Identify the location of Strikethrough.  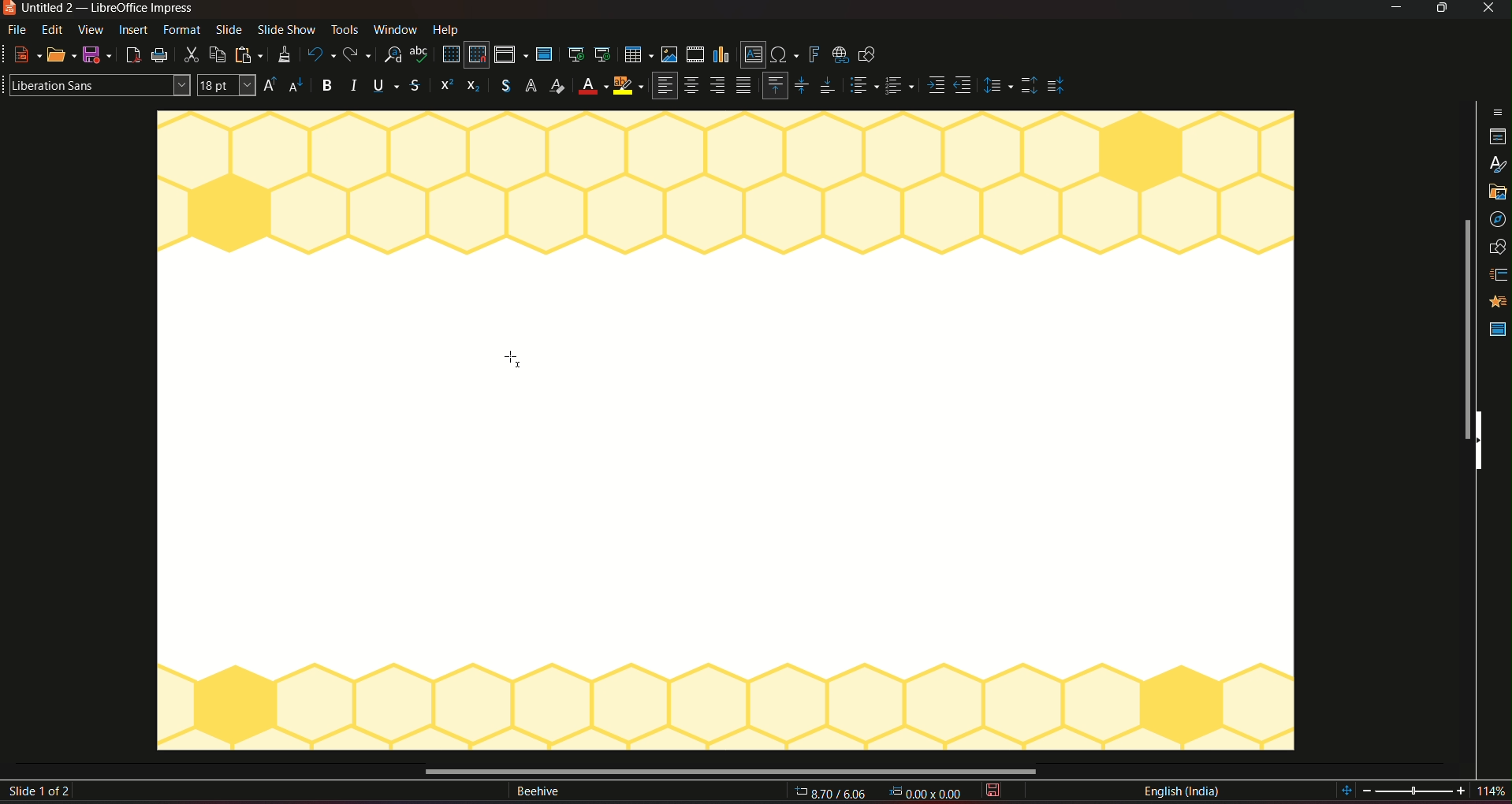
(415, 86).